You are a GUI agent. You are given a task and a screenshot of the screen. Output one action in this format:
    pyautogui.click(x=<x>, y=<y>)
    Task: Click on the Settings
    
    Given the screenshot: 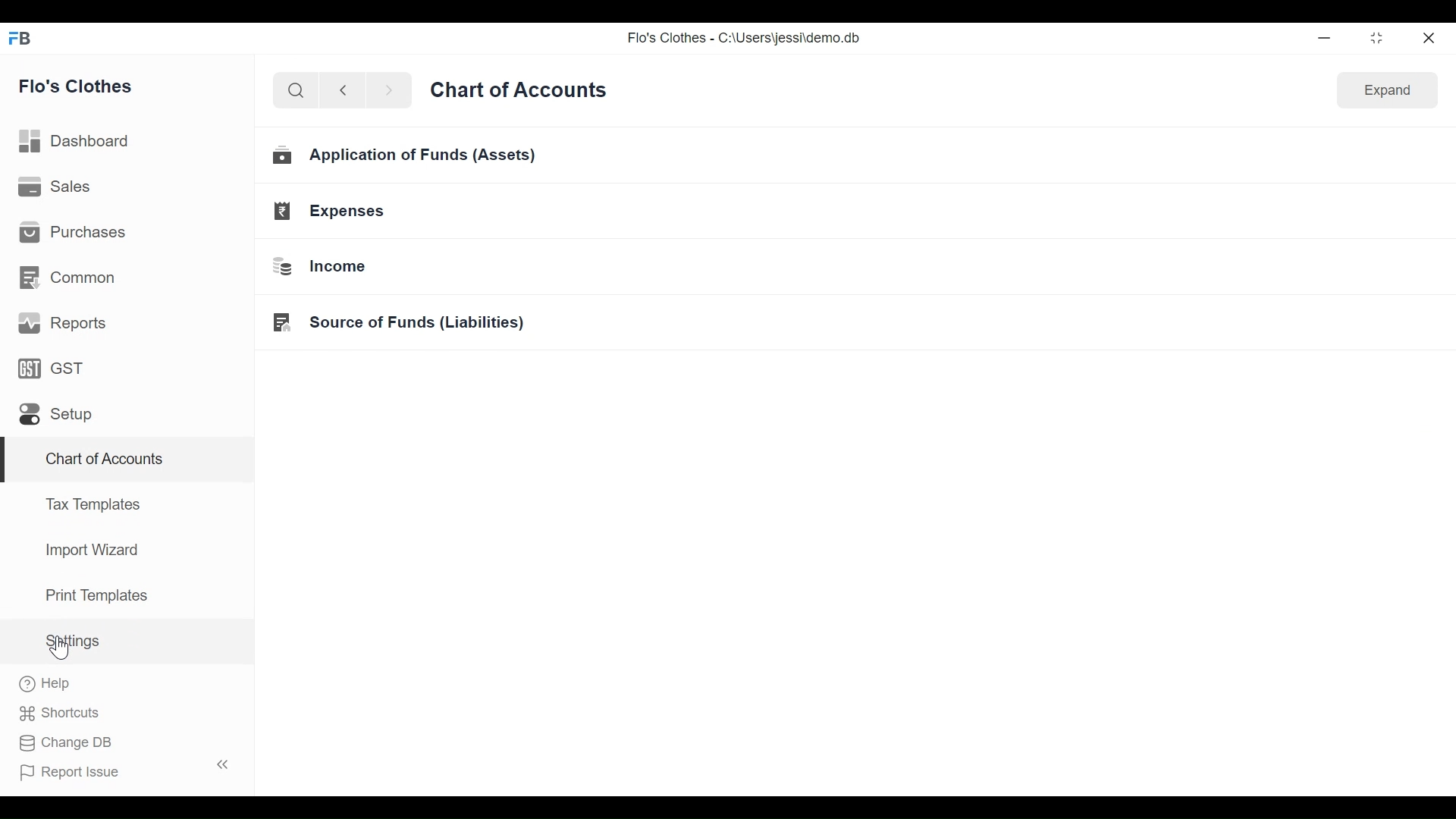 What is the action you would take?
    pyautogui.click(x=75, y=640)
    